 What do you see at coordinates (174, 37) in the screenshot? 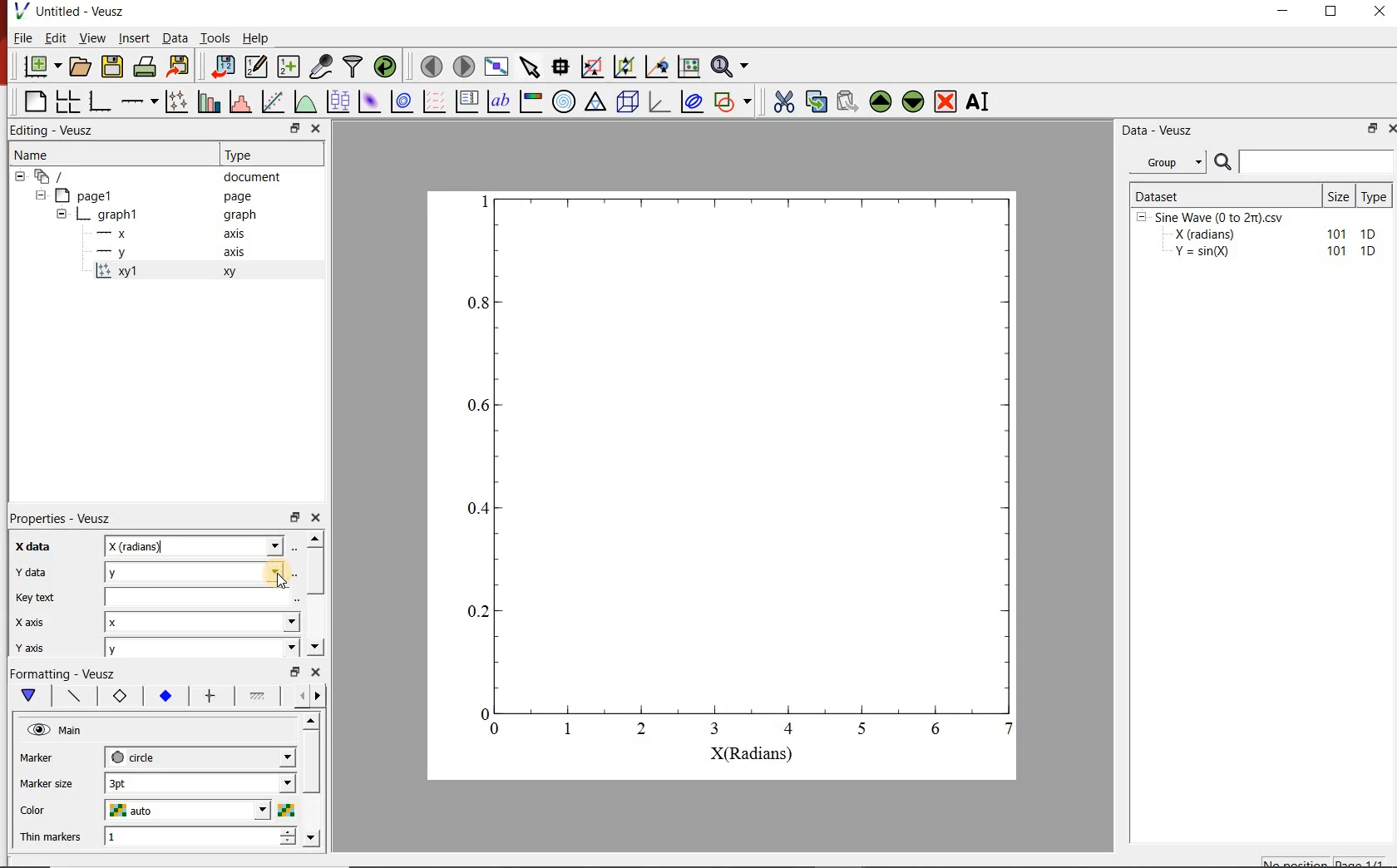
I see `Data` at bounding box center [174, 37].